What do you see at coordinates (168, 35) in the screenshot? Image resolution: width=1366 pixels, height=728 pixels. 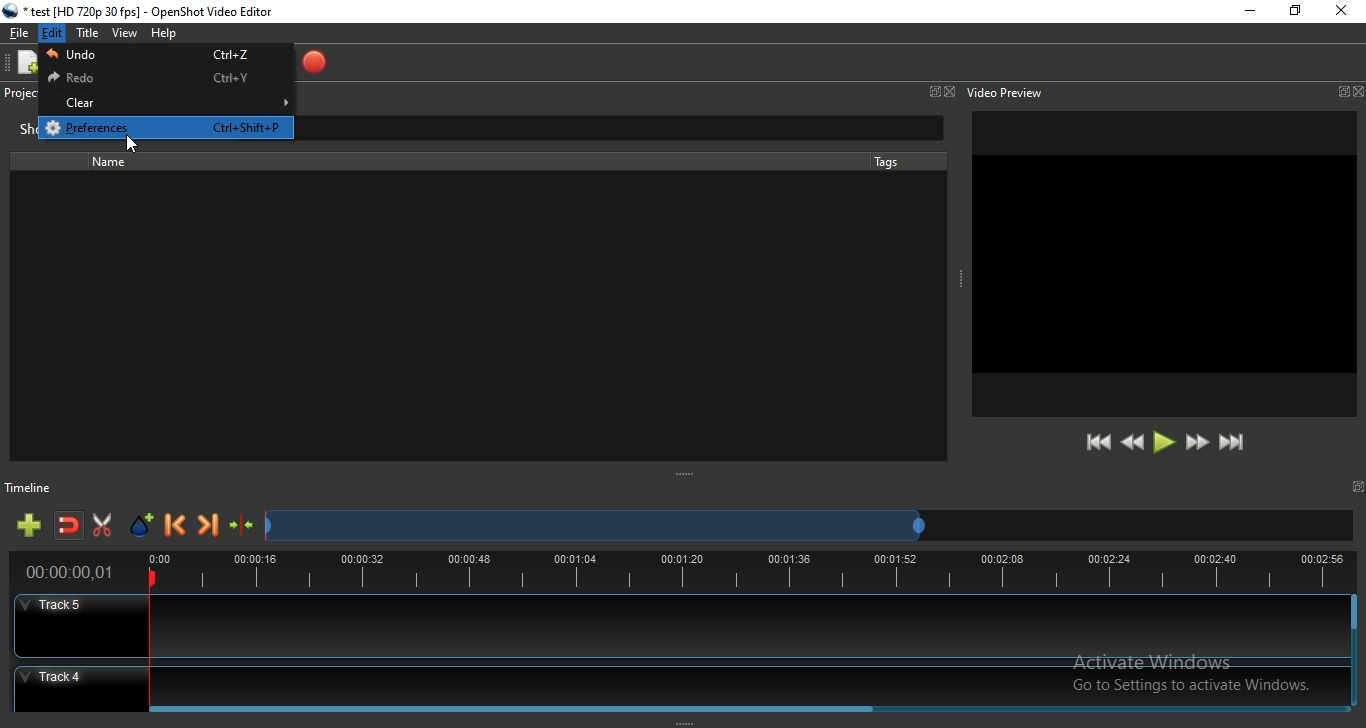 I see `Help` at bounding box center [168, 35].